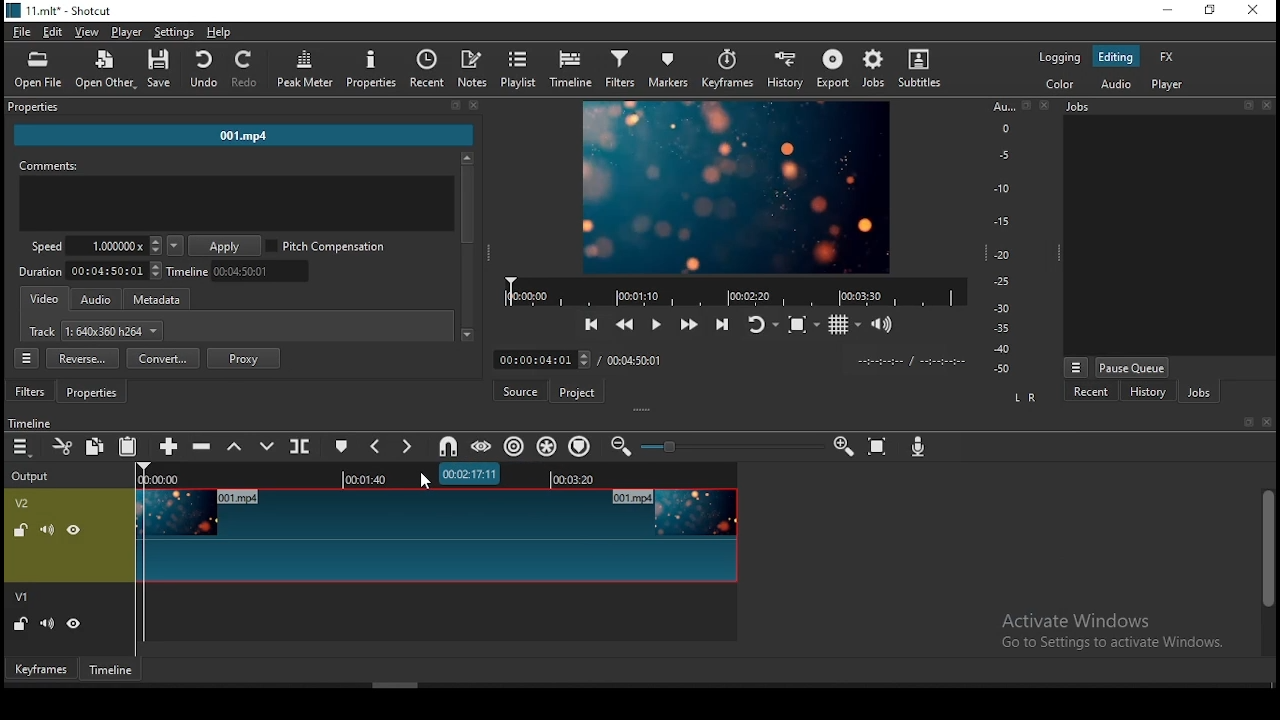 The image size is (1280, 720). What do you see at coordinates (113, 669) in the screenshot?
I see `timeline` at bounding box center [113, 669].